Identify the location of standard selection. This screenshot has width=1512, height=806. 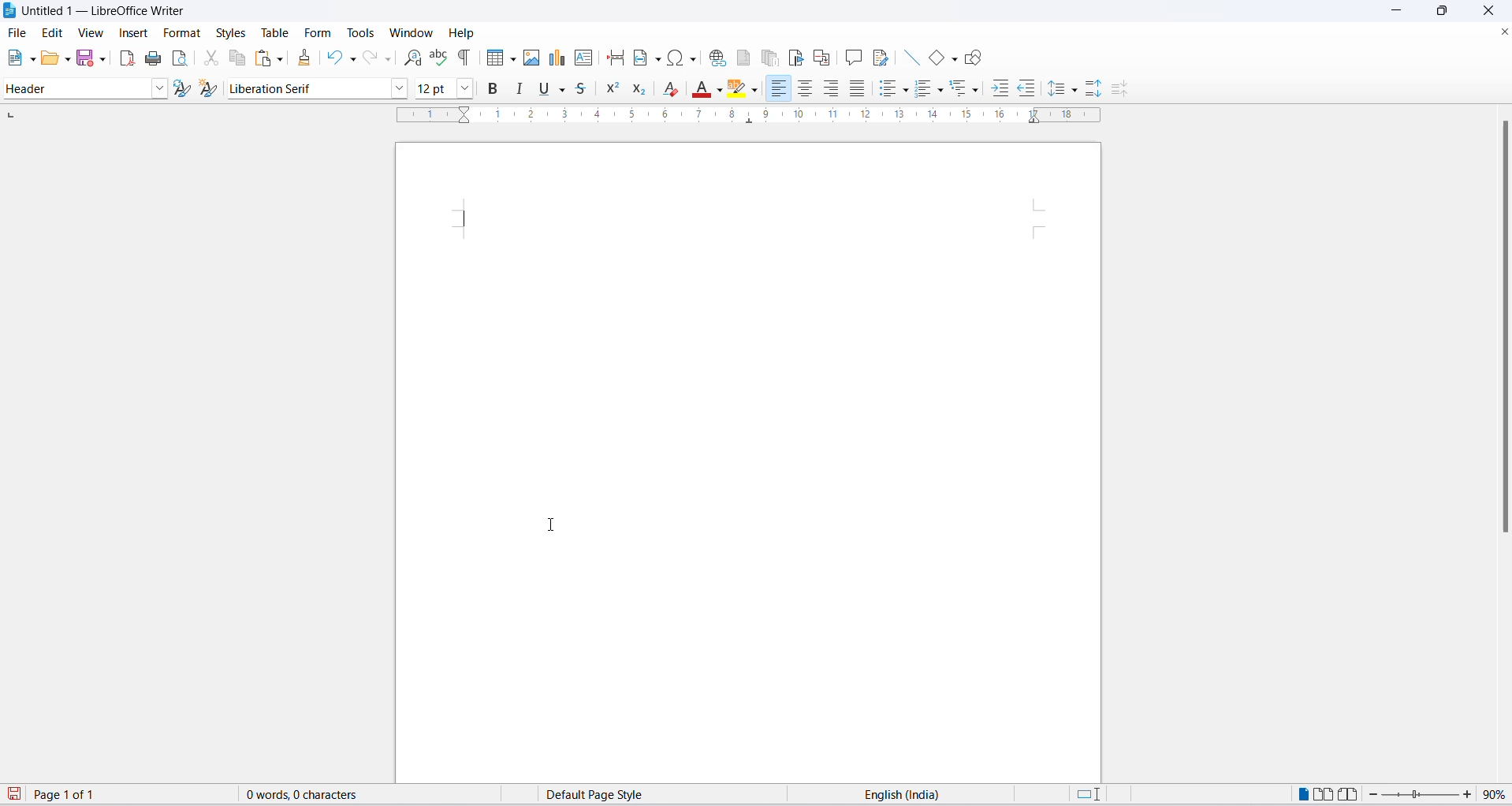
(1087, 794).